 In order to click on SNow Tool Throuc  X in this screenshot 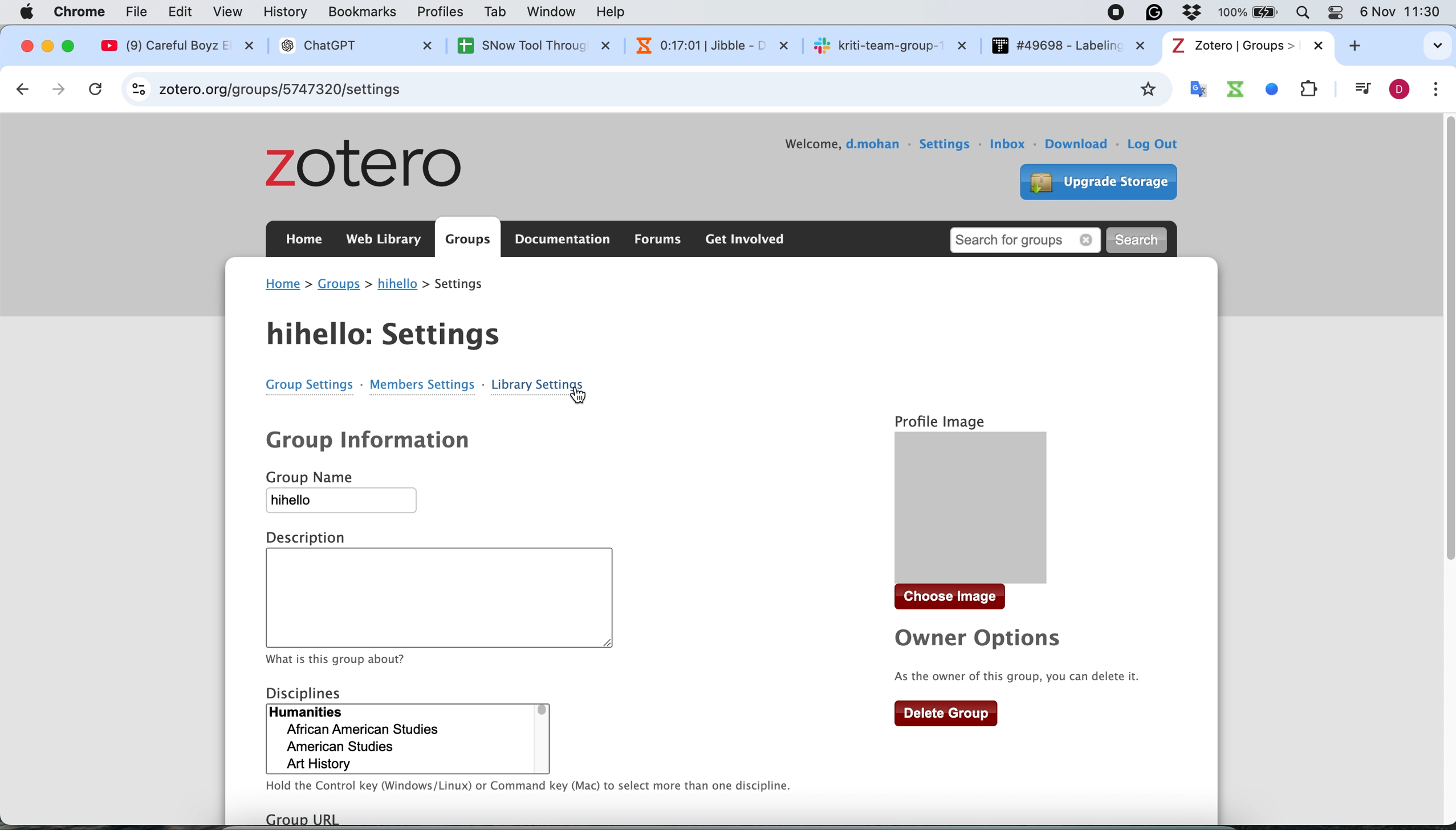, I will do `click(524, 45)`.